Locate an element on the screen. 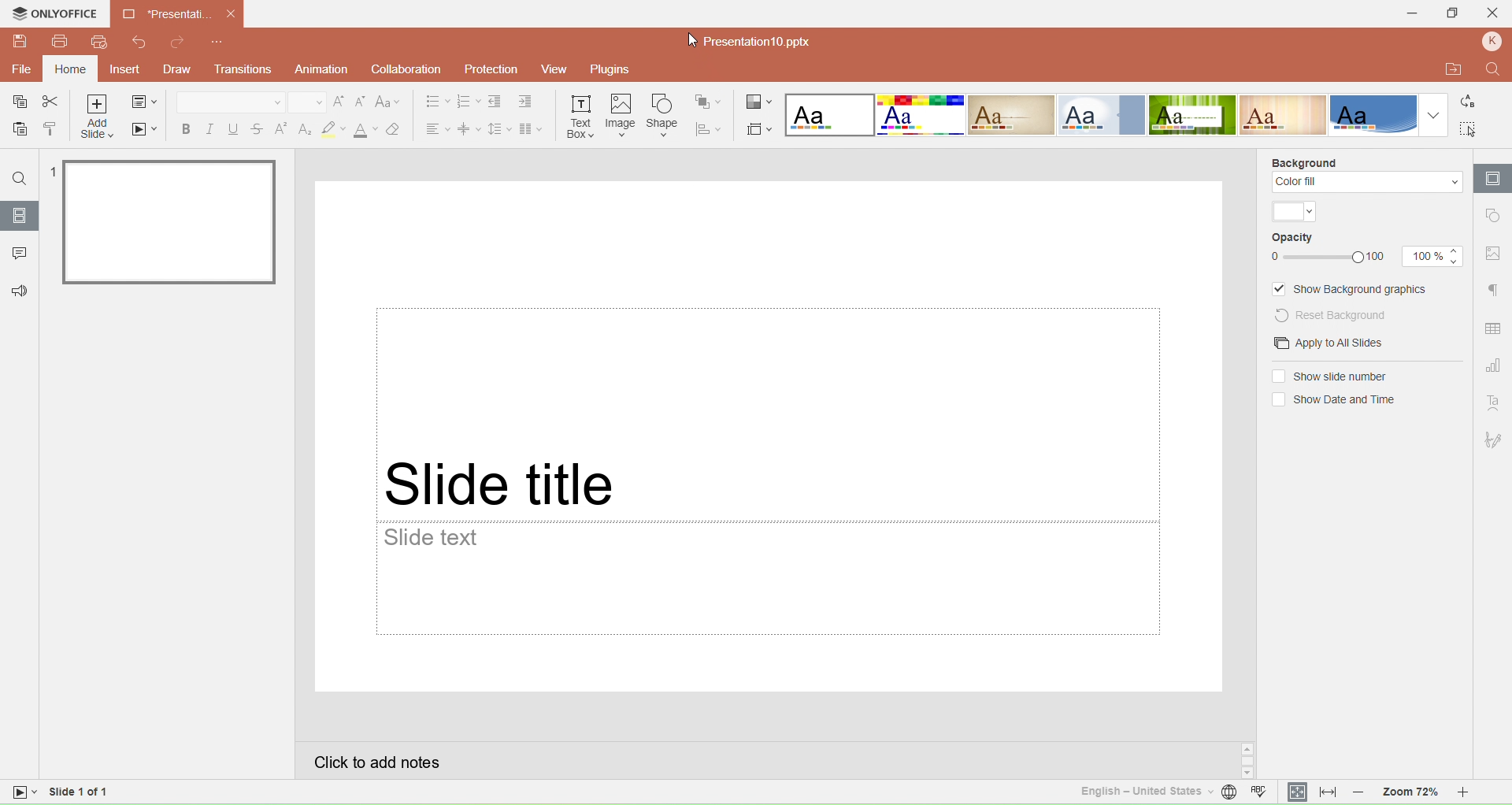 This screenshot has width=1512, height=805. Insert columns is located at coordinates (535, 128).